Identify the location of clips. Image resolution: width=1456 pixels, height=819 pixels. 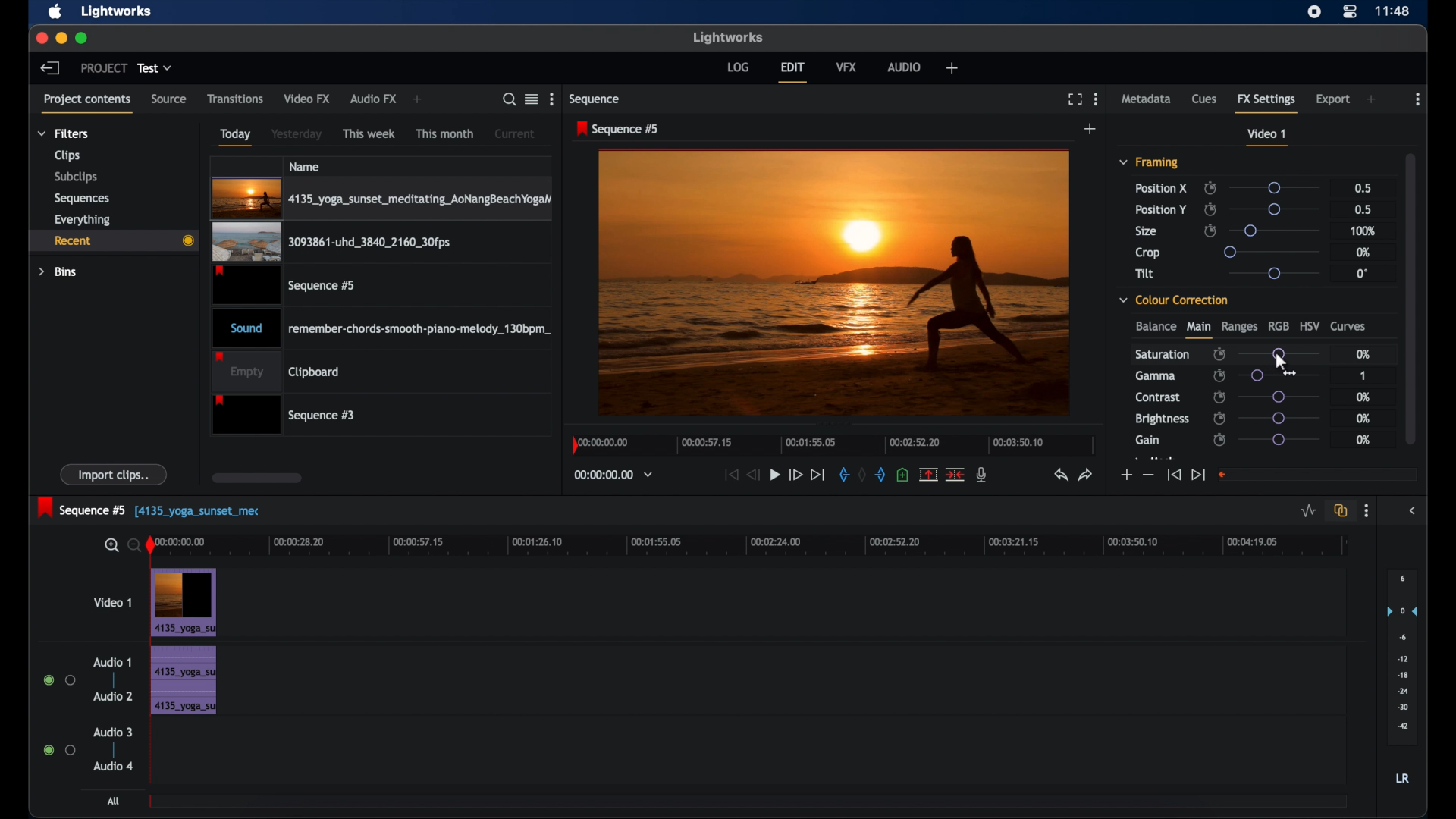
(65, 155).